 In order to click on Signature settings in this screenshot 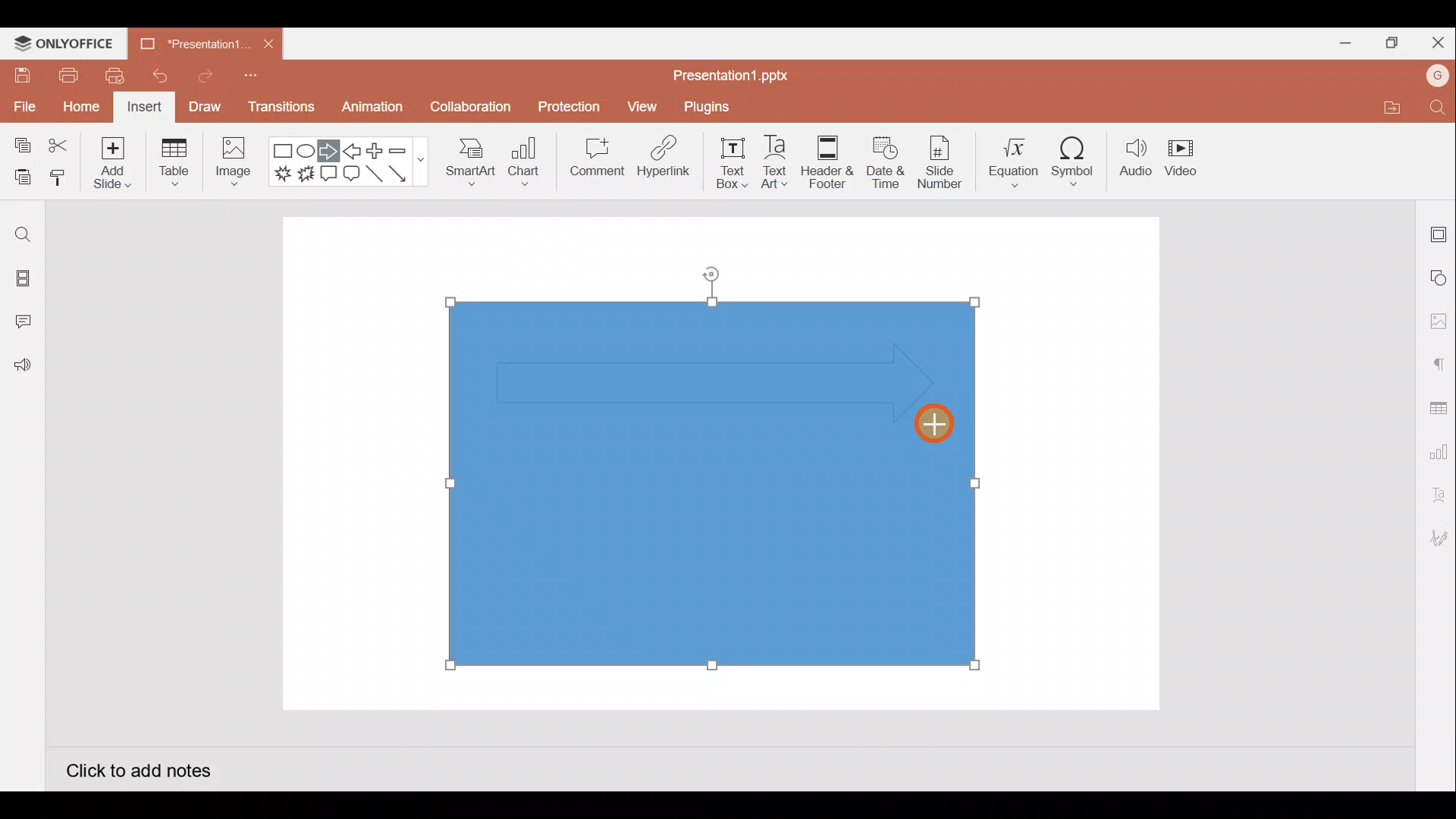, I will do `click(1436, 540)`.